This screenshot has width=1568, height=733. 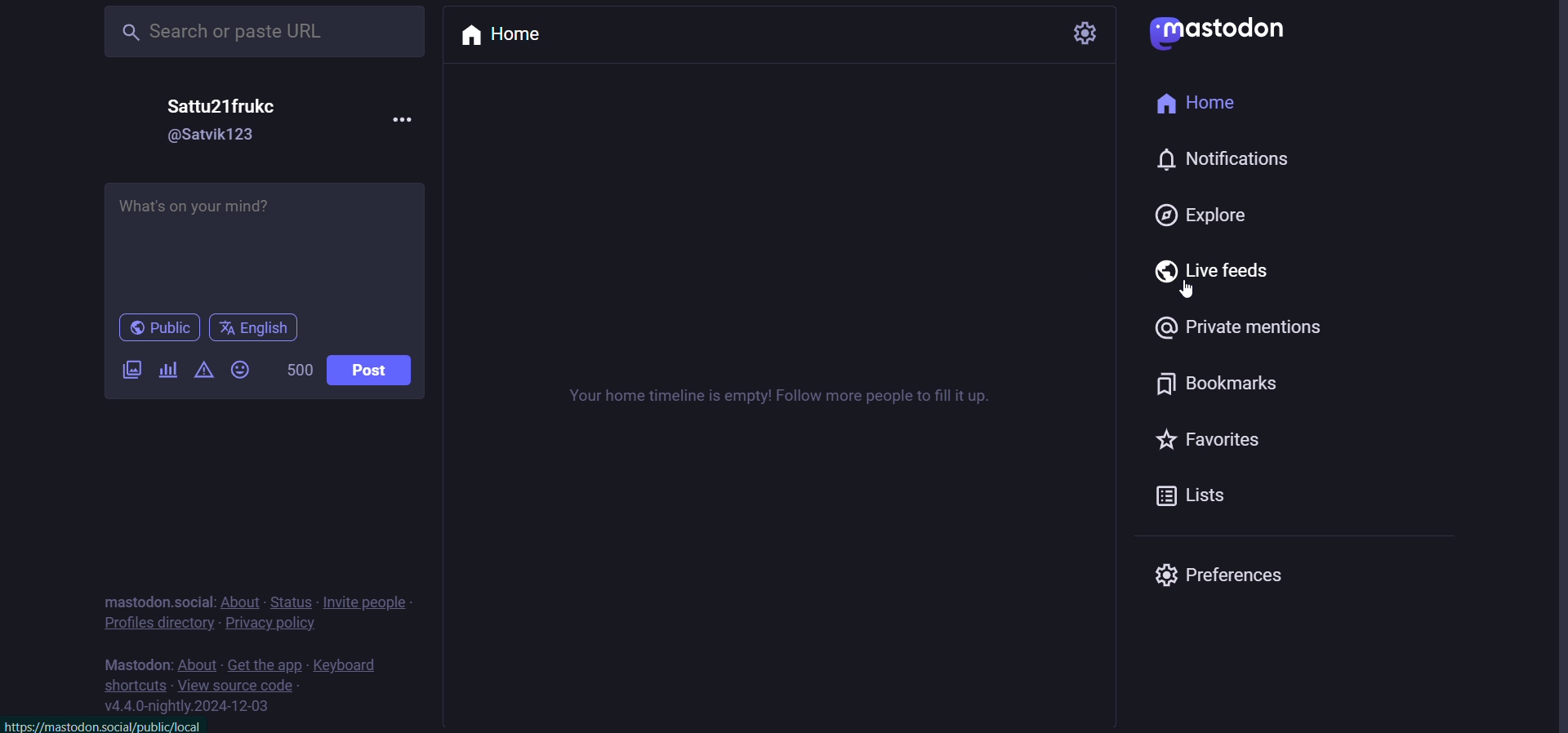 I want to click on Search or paste URL, so click(x=260, y=29).